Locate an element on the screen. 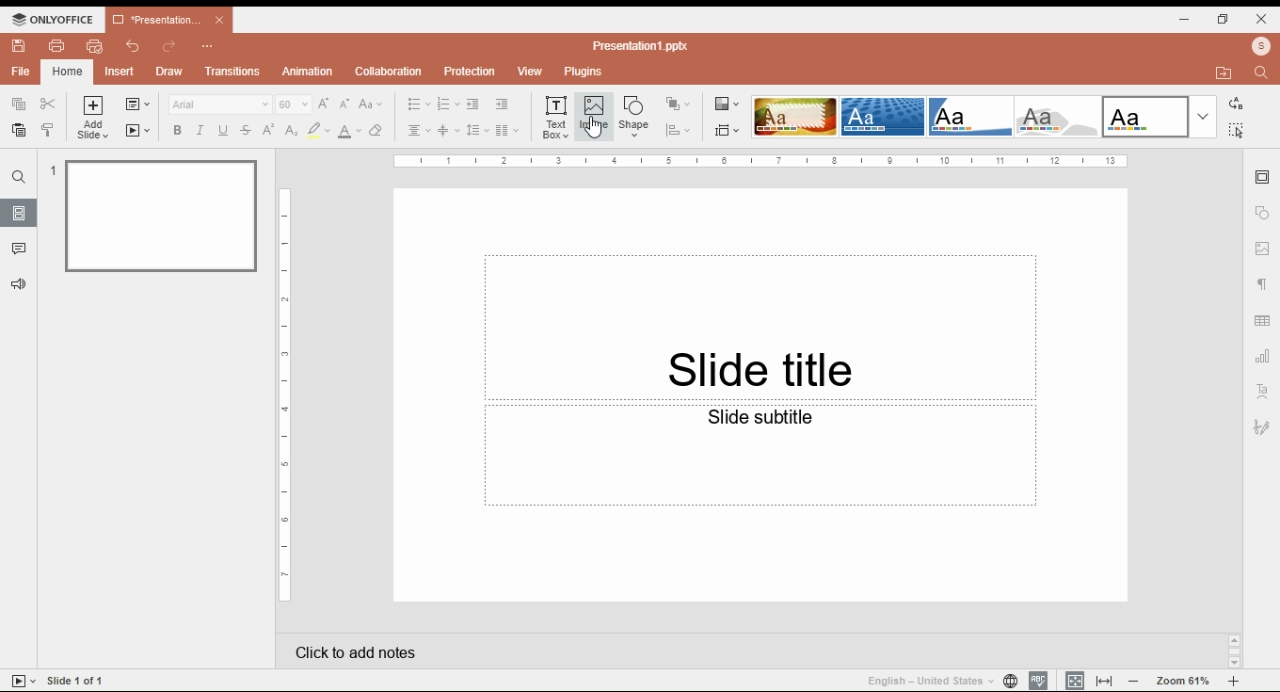 This screenshot has height=692, width=1280. Scale is located at coordinates (282, 393).